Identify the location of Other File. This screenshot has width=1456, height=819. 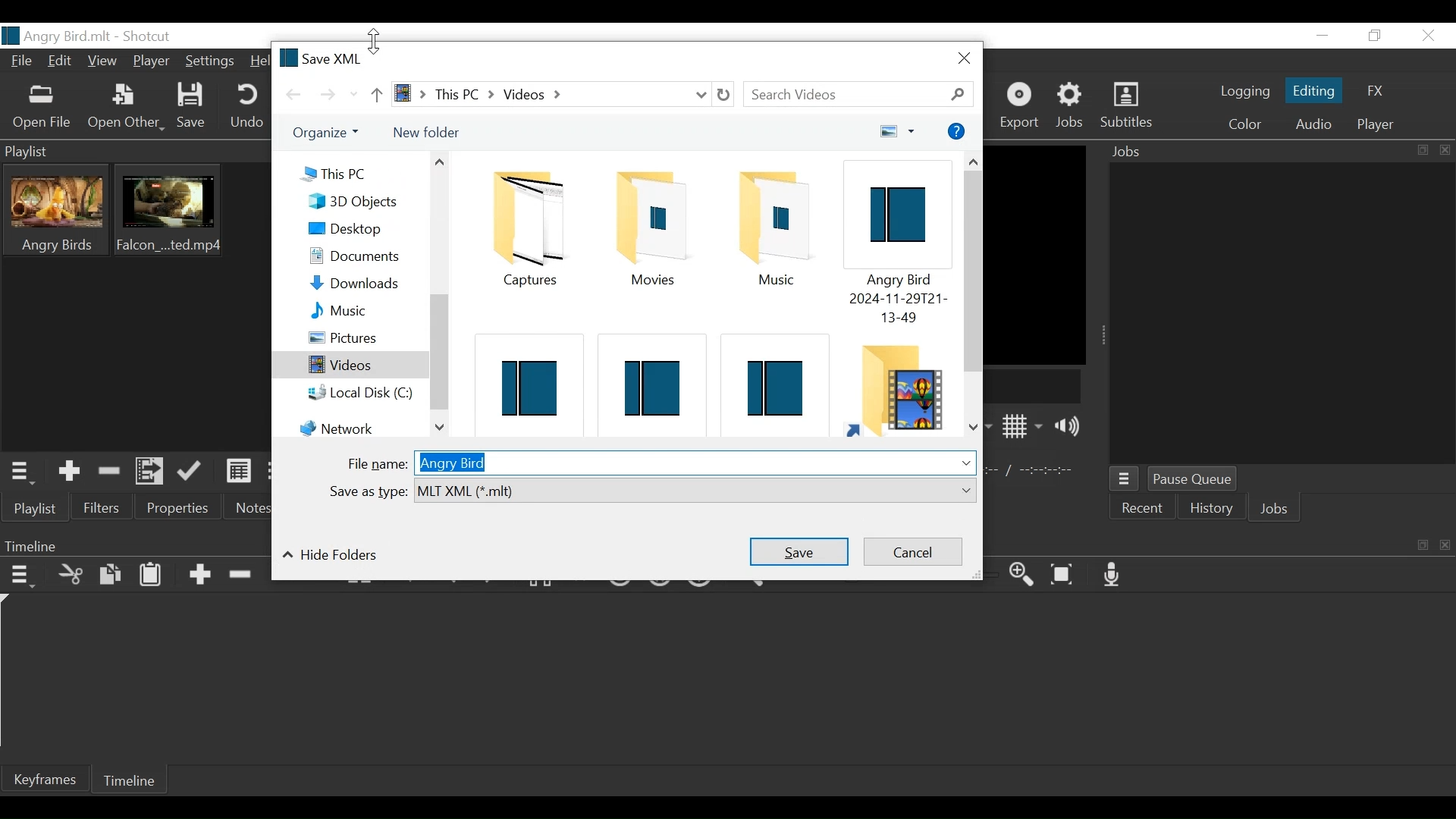
(122, 107).